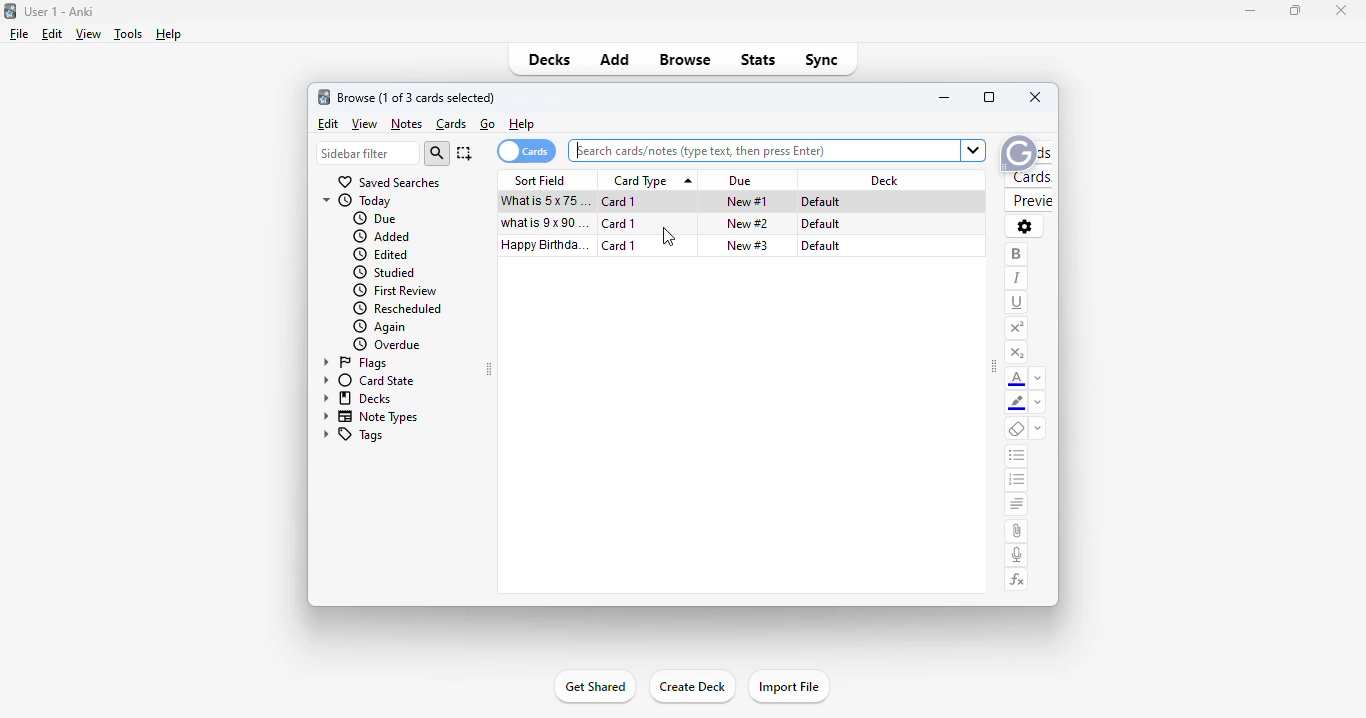  Describe the element at coordinates (1018, 304) in the screenshot. I see `underline` at that location.